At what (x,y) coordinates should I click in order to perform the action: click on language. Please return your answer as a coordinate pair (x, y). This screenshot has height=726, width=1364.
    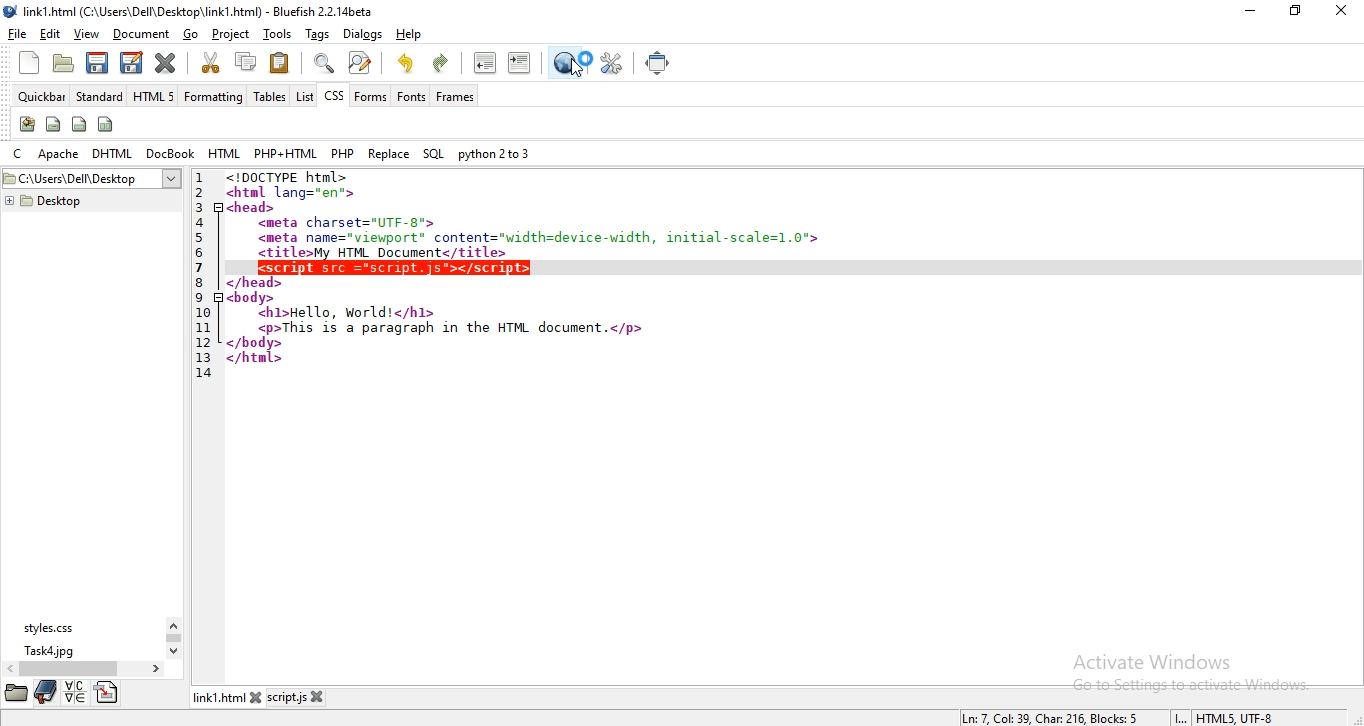
    Looking at the image, I should click on (76, 692).